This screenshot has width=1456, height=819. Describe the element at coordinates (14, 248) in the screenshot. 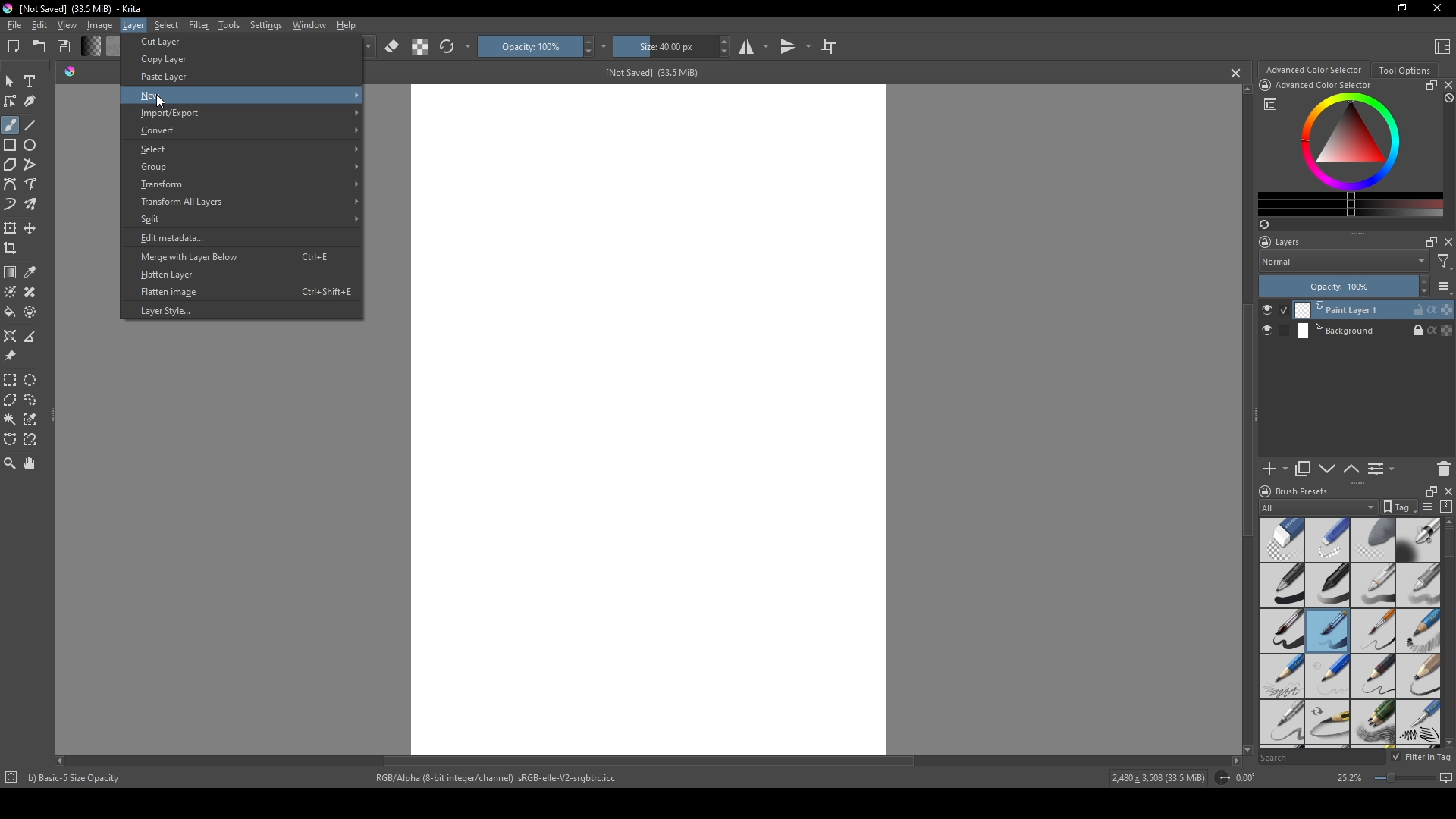

I see `crop` at that location.